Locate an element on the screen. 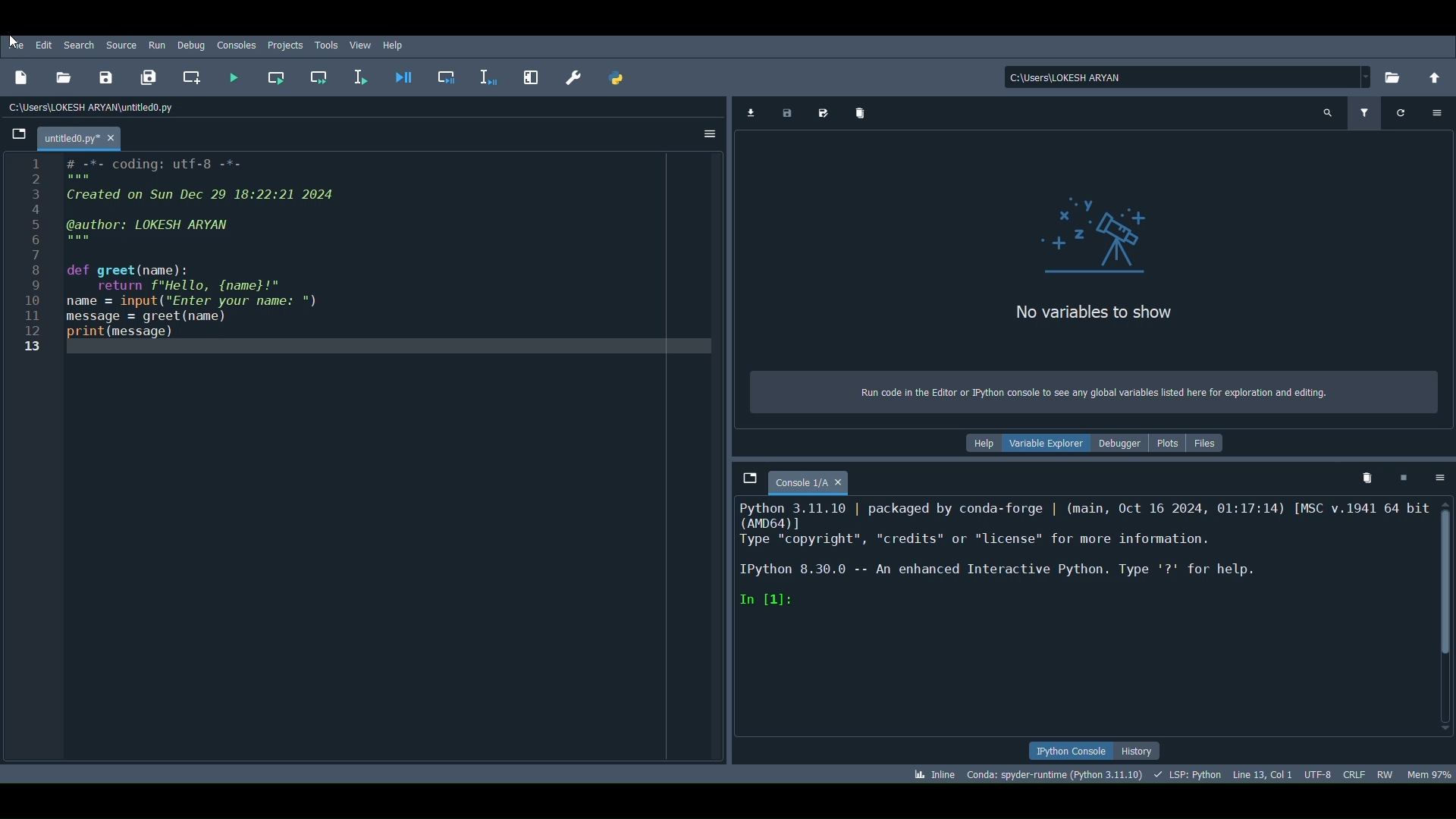 The image size is (1456, 819). Help is located at coordinates (395, 46).